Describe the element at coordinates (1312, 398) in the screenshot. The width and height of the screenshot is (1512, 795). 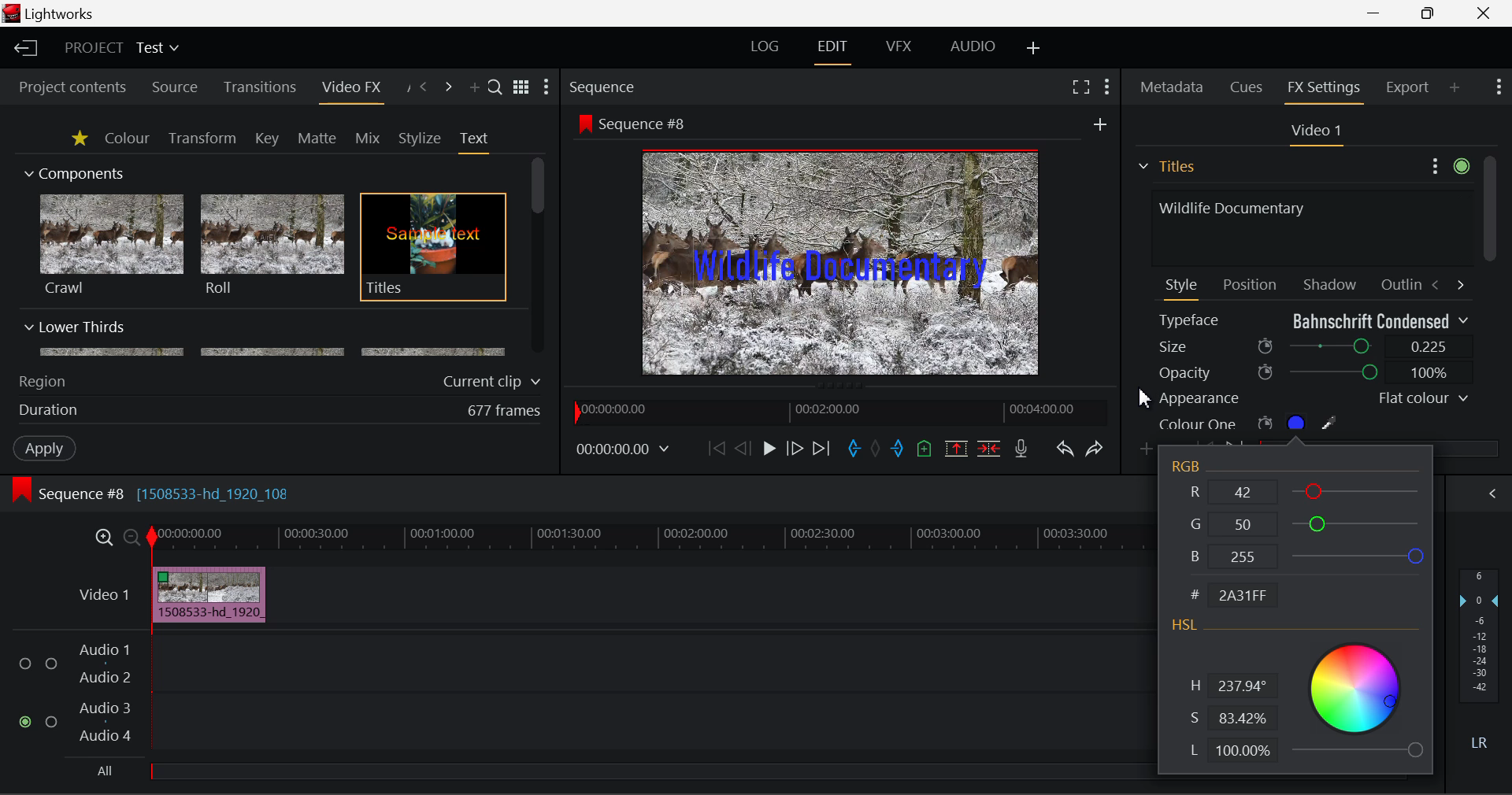
I see `Appearance` at that location.